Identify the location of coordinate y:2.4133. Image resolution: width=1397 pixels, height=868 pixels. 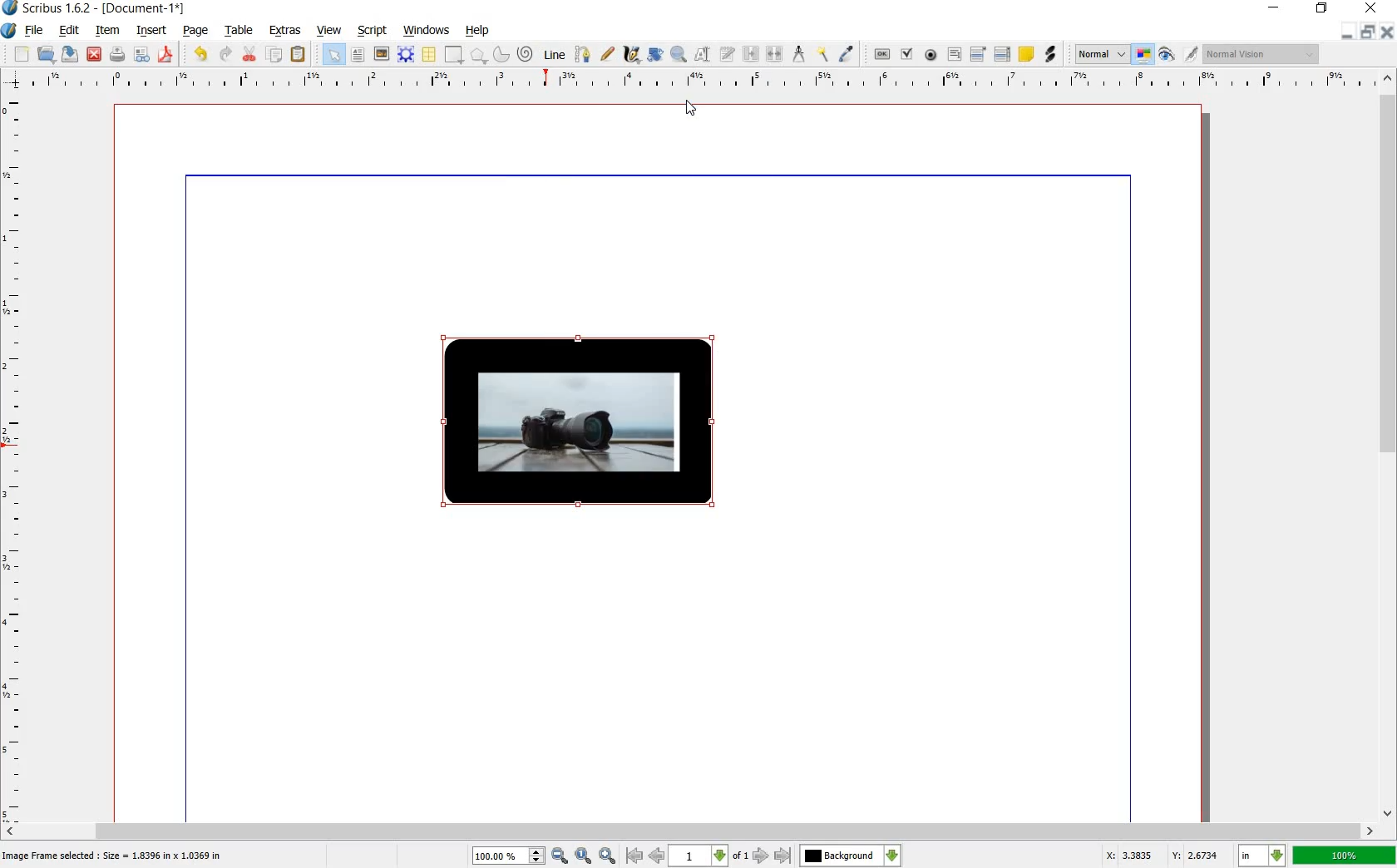
(1199, 854).